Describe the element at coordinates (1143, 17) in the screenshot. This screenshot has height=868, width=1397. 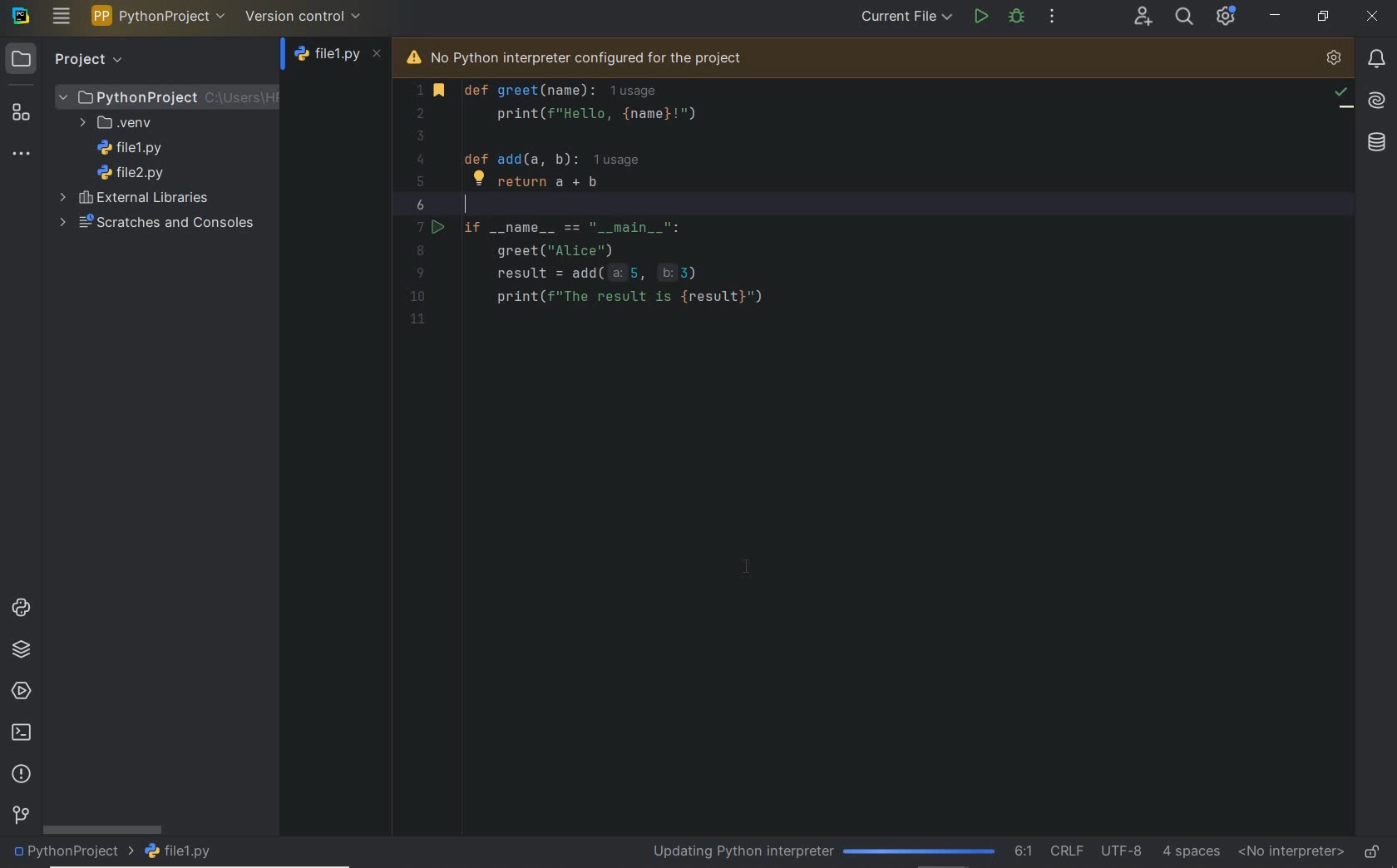
I see `code with me` at that location.